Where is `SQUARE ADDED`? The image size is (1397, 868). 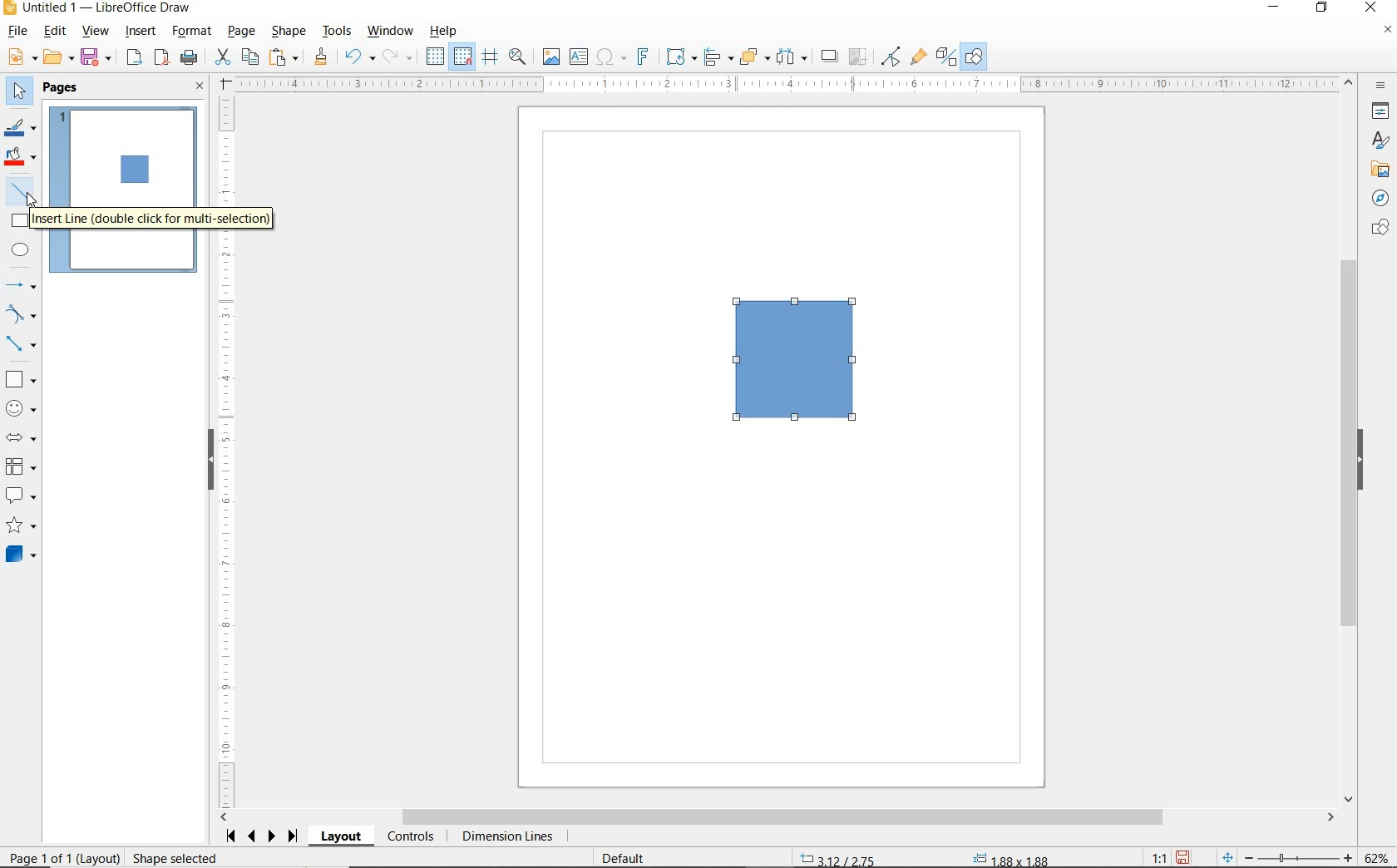
SQUARE ADDED is located at coordinates (132, 171).